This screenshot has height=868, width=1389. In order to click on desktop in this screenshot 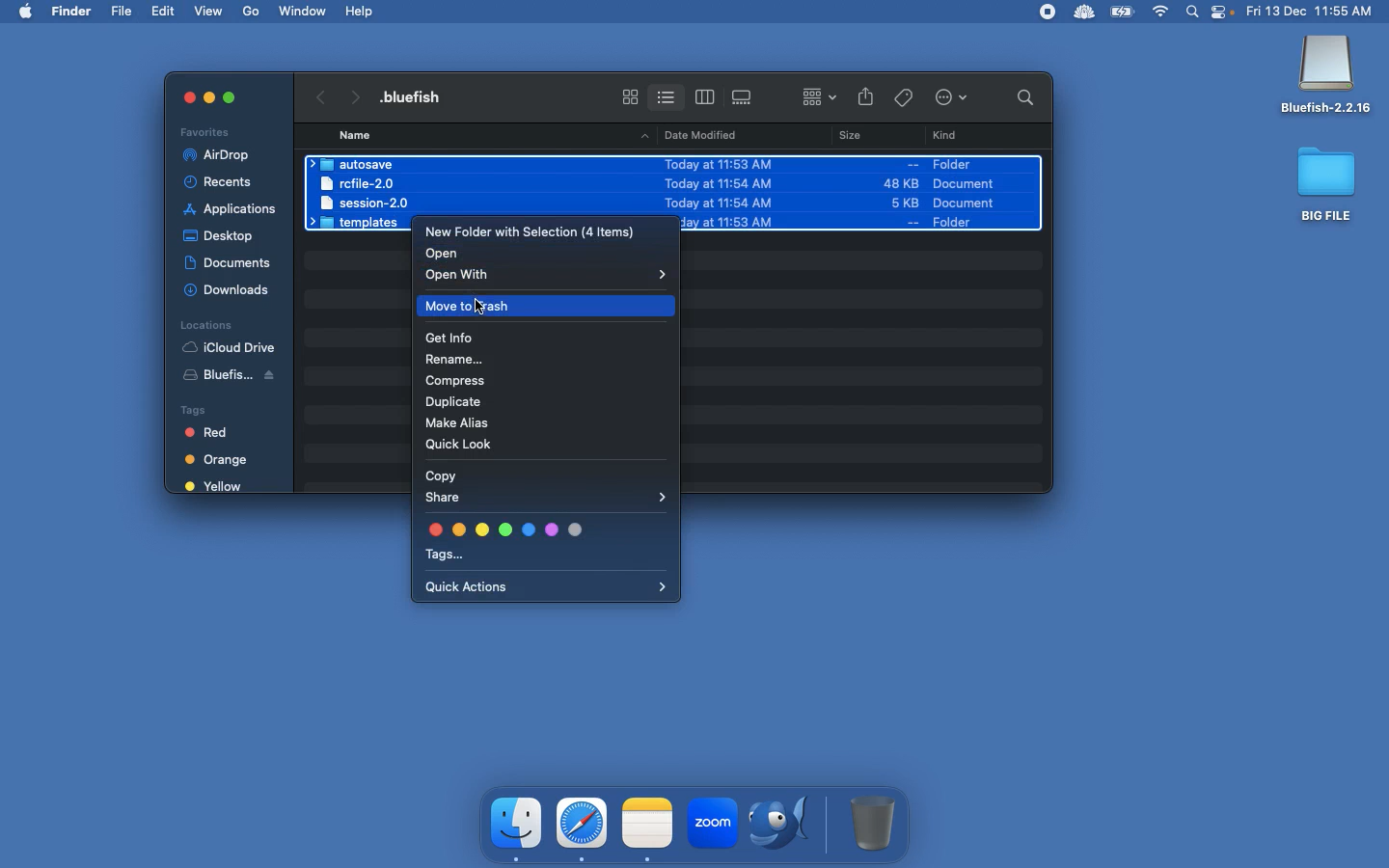, I will do `click(222, 232)`.